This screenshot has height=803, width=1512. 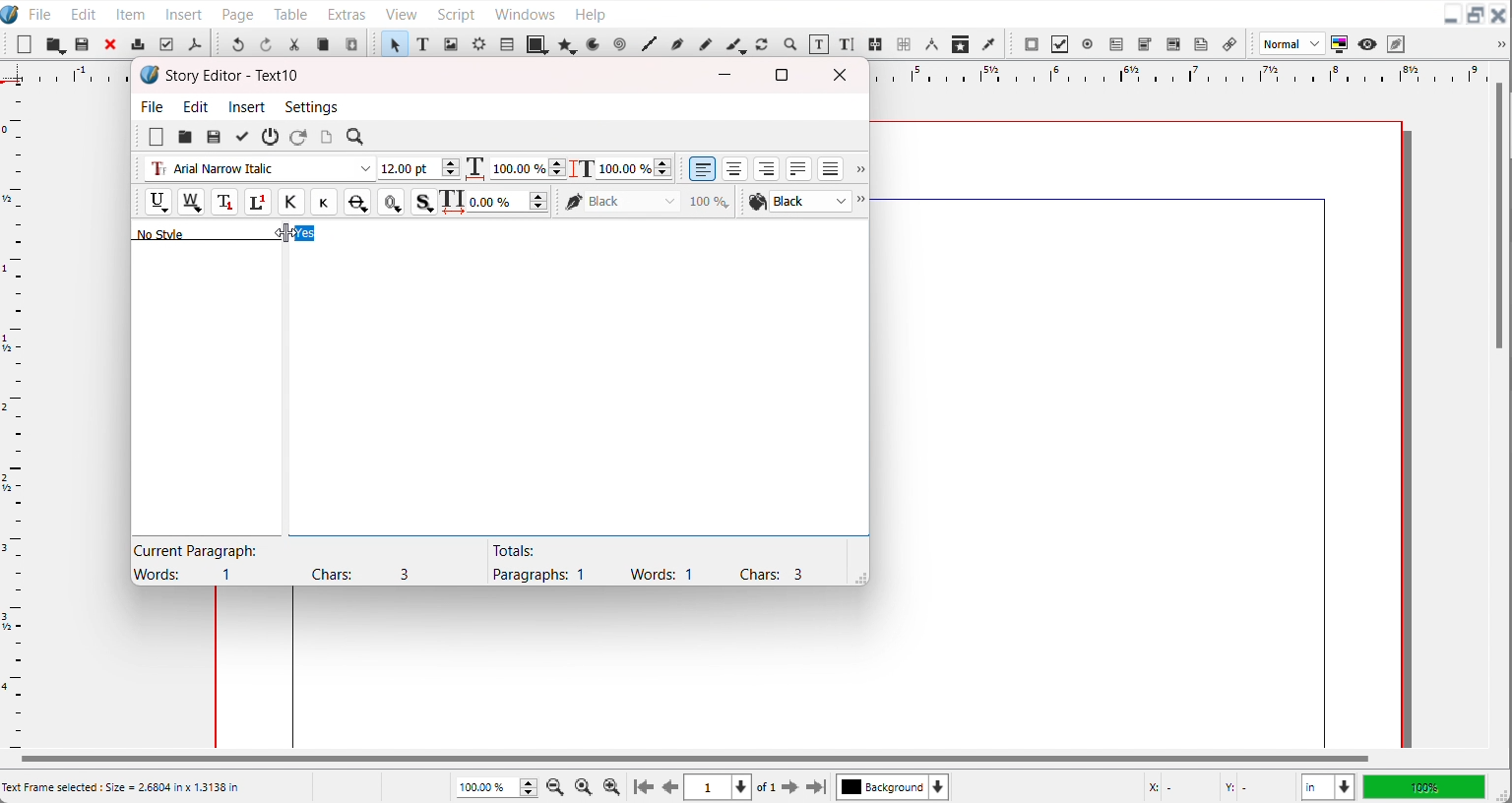 I want to click on Image Frame, so click(x=451, y=43).